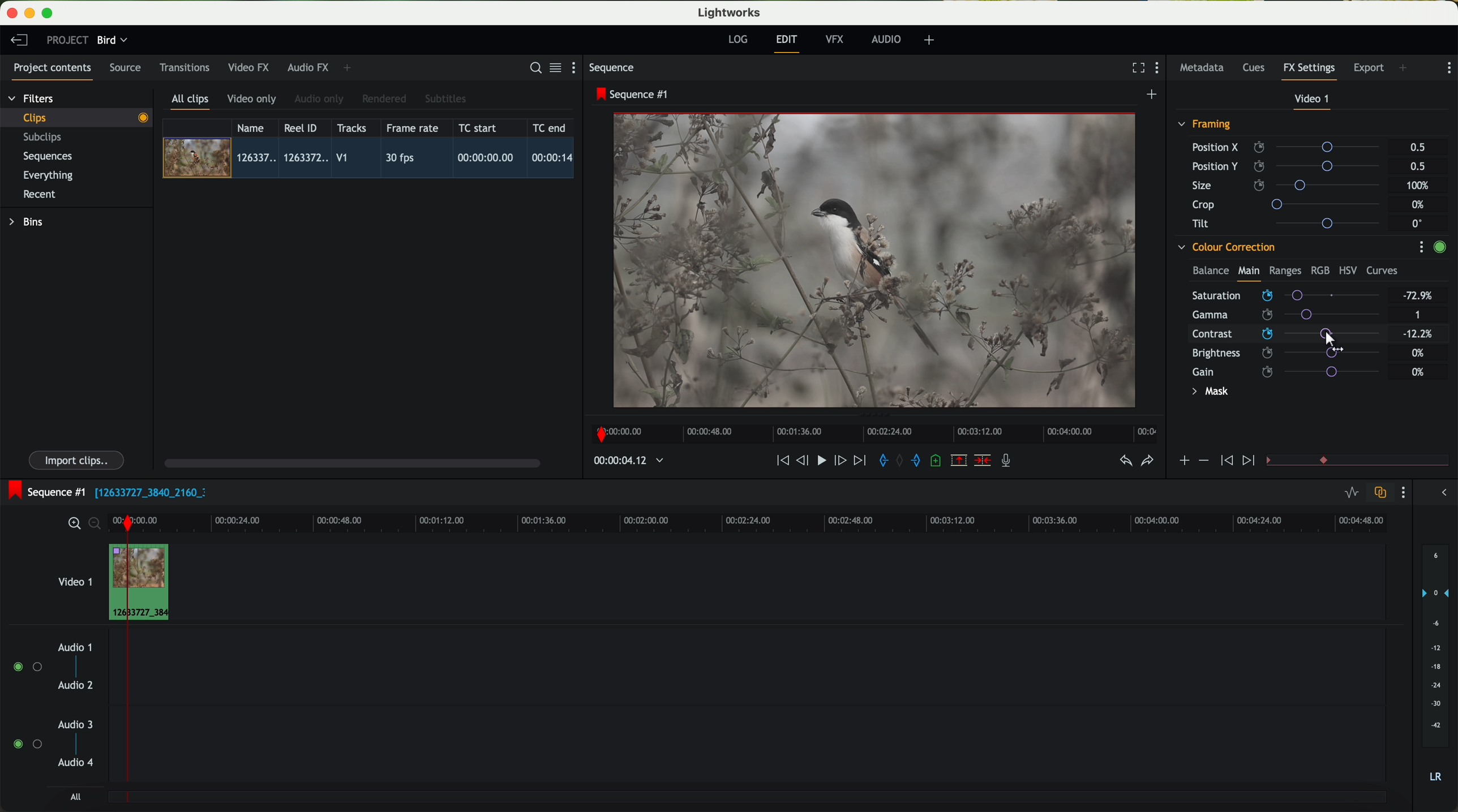  What do you see at coordinates (931, 40) in the screenshot?
I see `add, remove and create layouts` at bounding box center [931, 40].